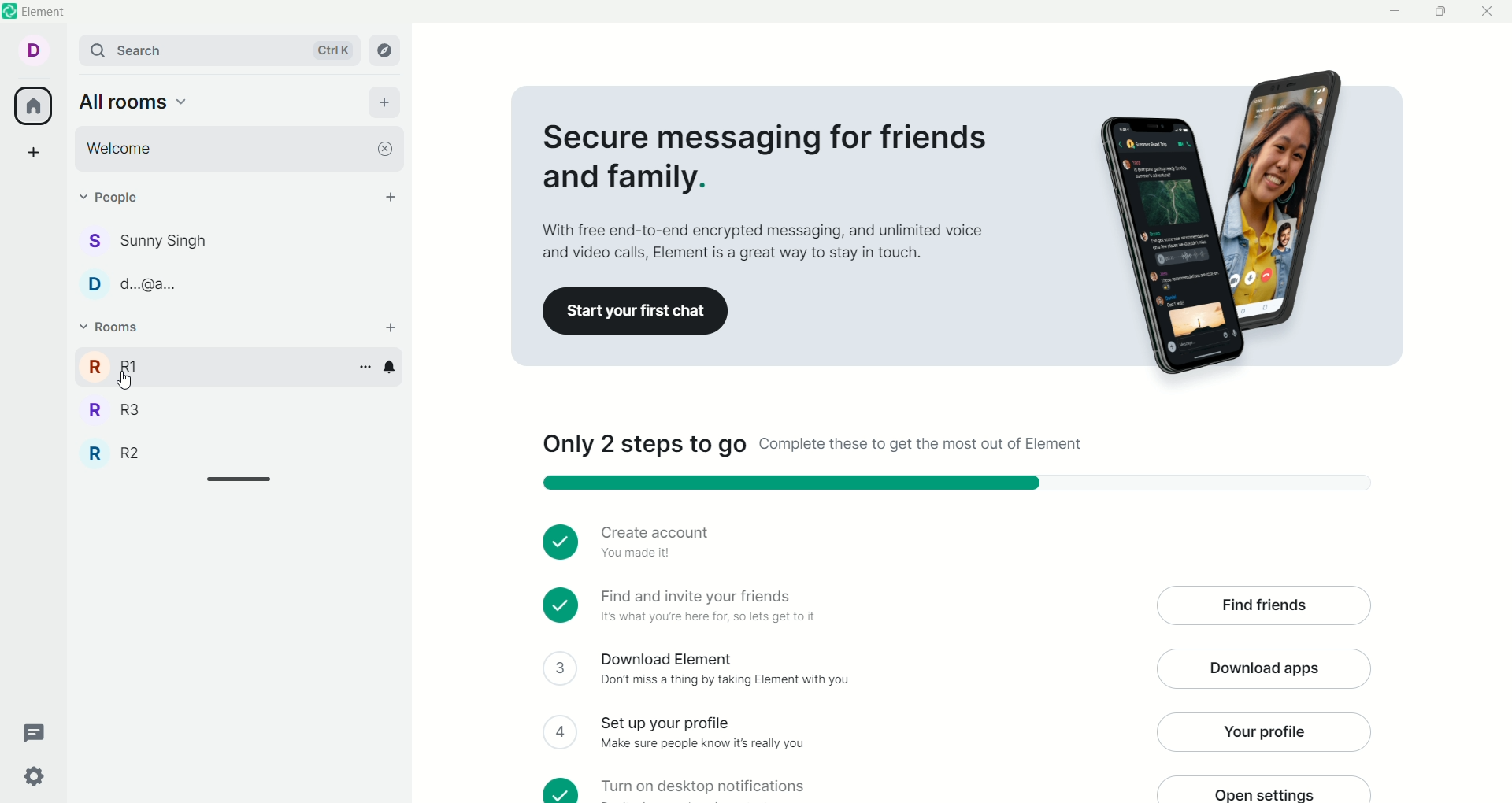  I want to click on Indicates step 5: Turn on desktop notifications, so click(704, 790).